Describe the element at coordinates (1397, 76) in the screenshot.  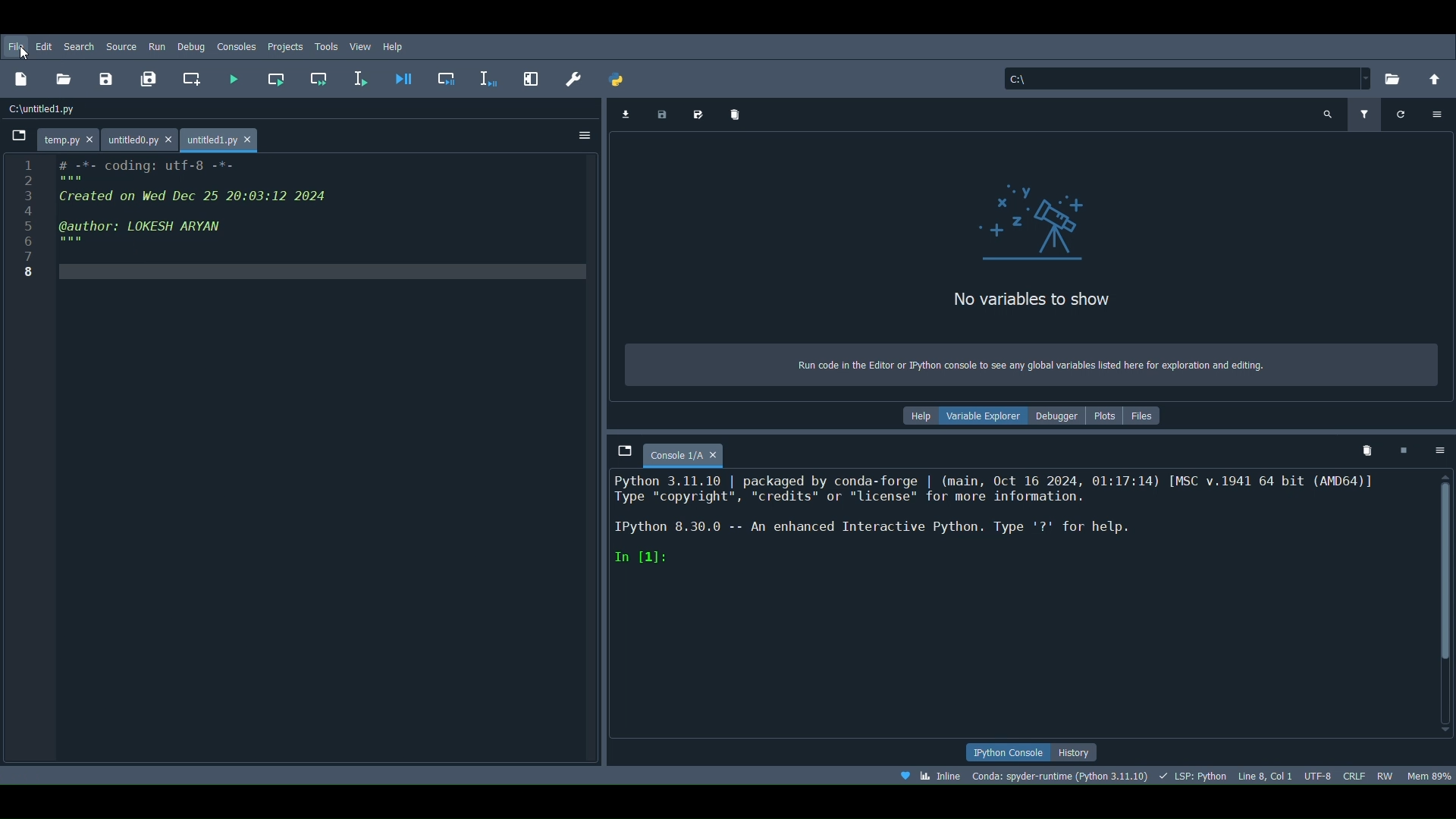
I see `Browse a working directory` at that location.